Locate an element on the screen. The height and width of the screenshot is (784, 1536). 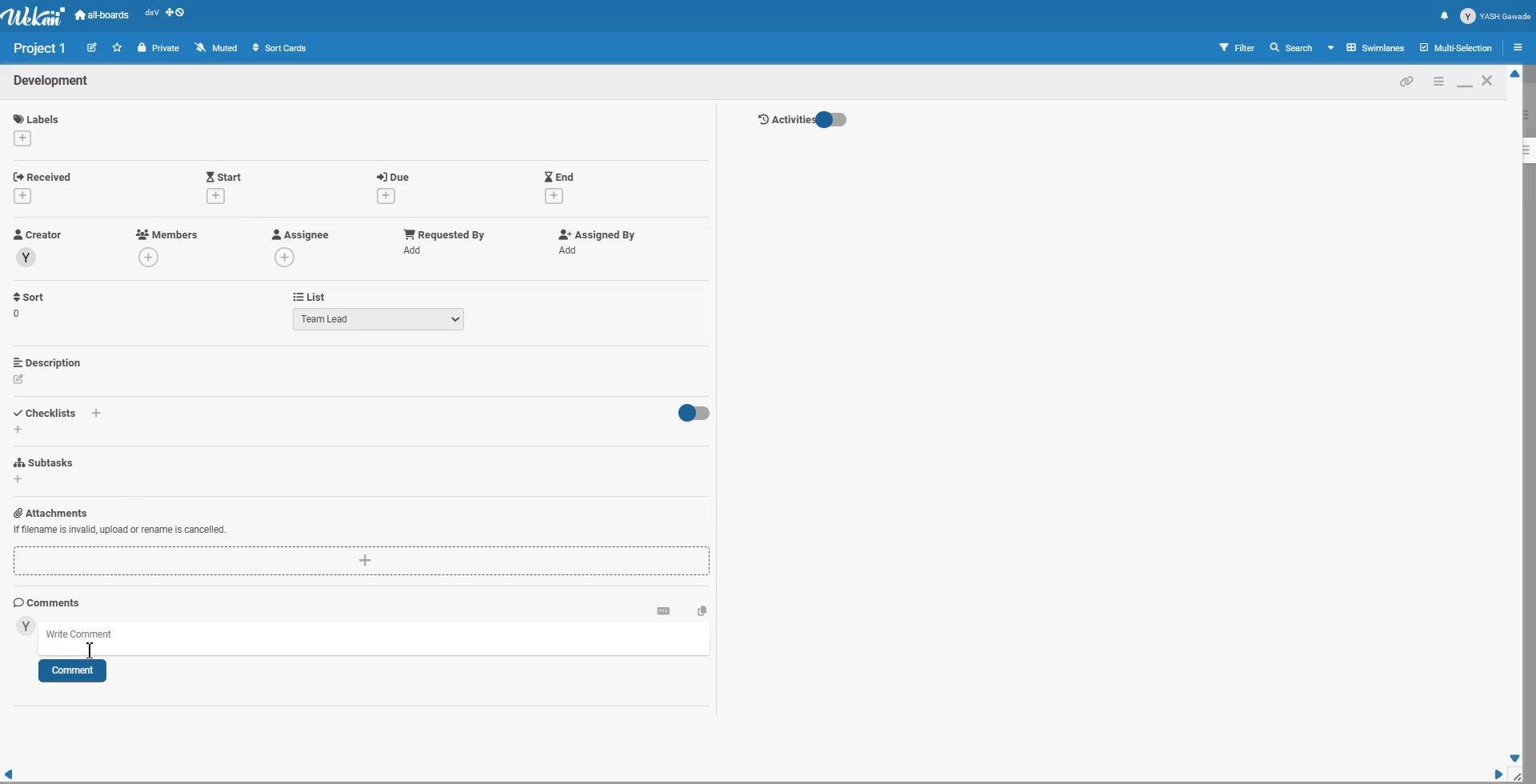
add is located at coordinates (416, 250).